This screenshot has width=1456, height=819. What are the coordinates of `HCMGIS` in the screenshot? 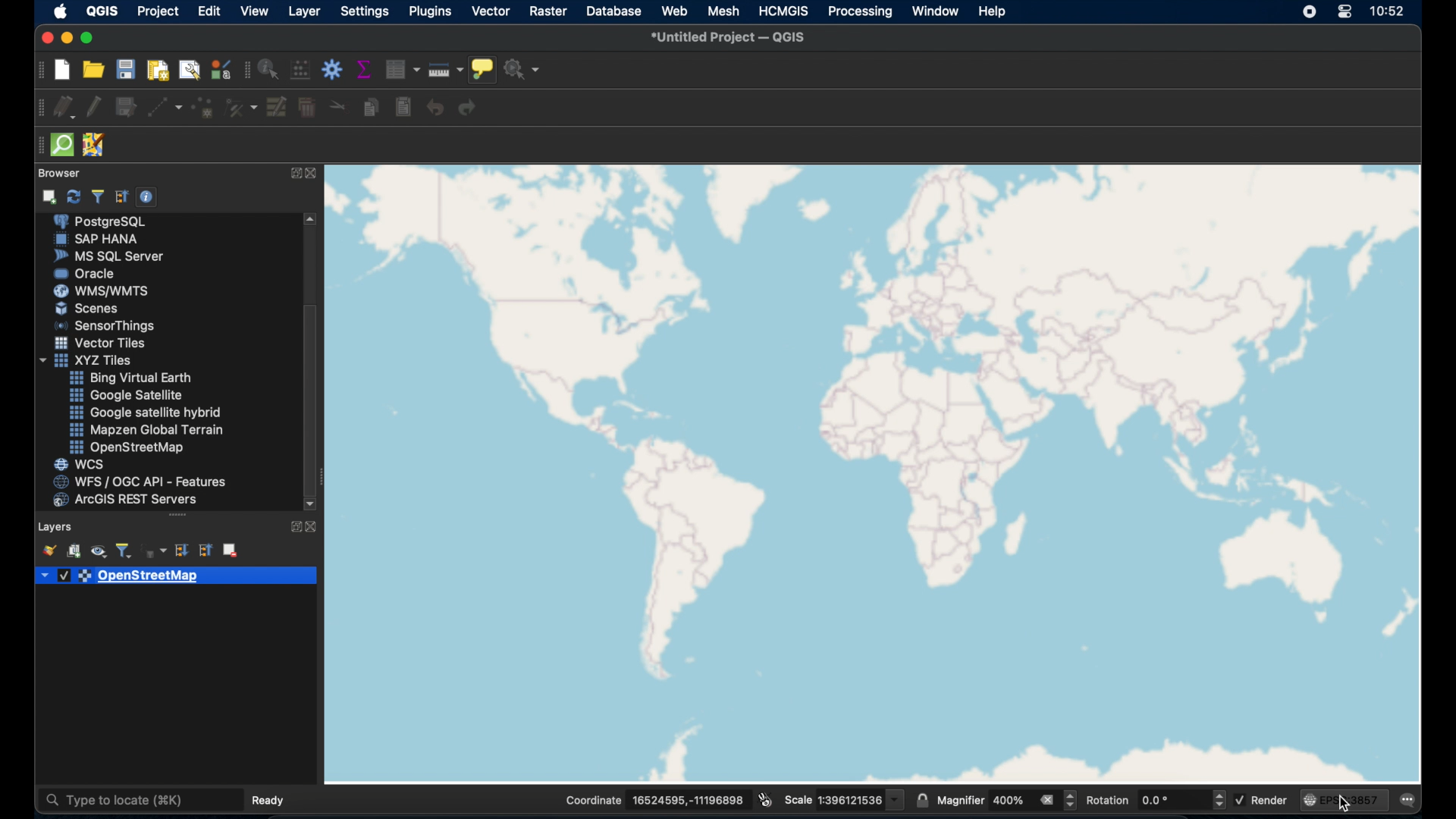 It's located at (786, 11).